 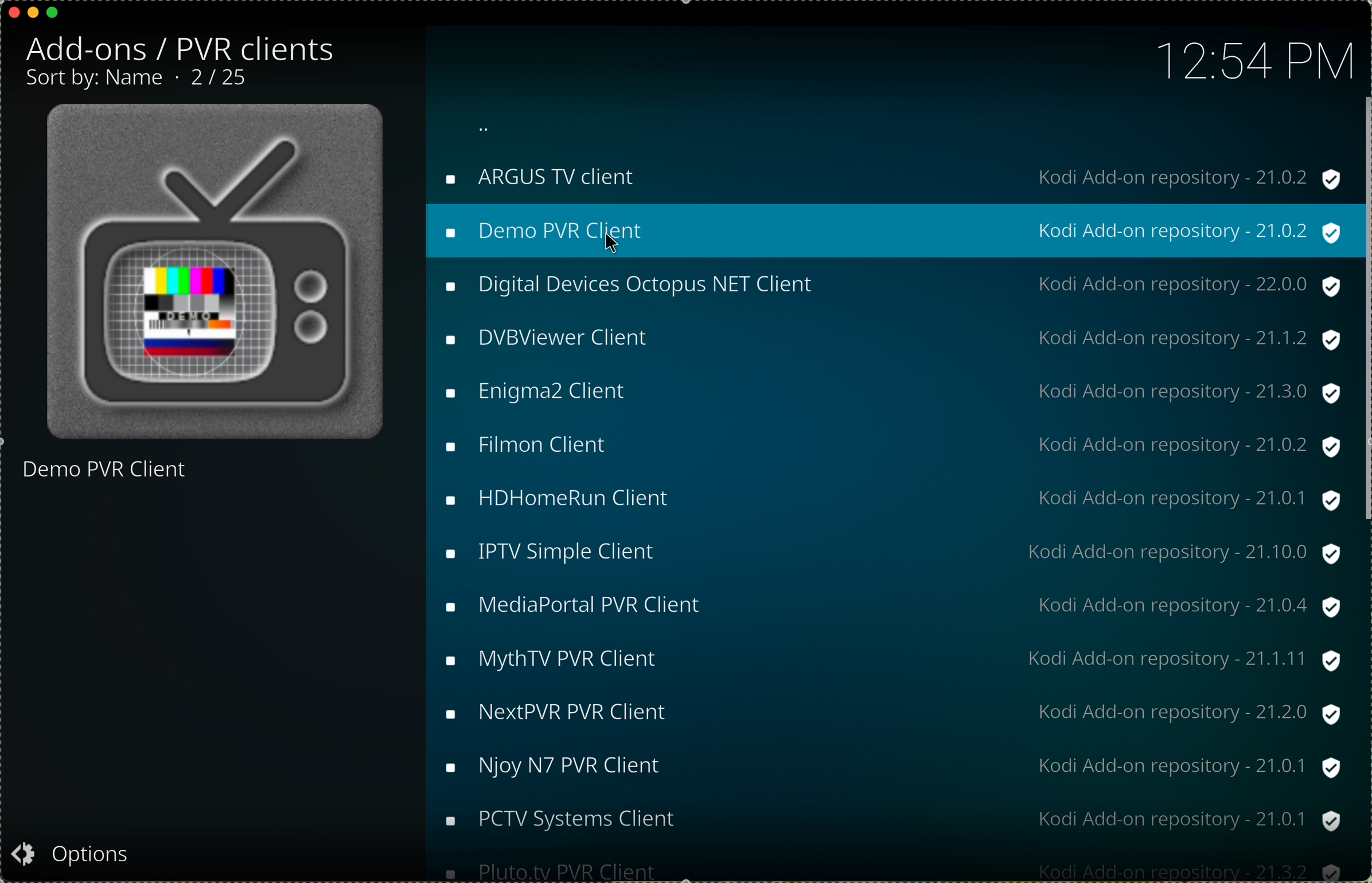 What do you see at coordinates (583, 825) in the screenshot?
I see `PCTV Systems client` at bounding box center [583, 825].